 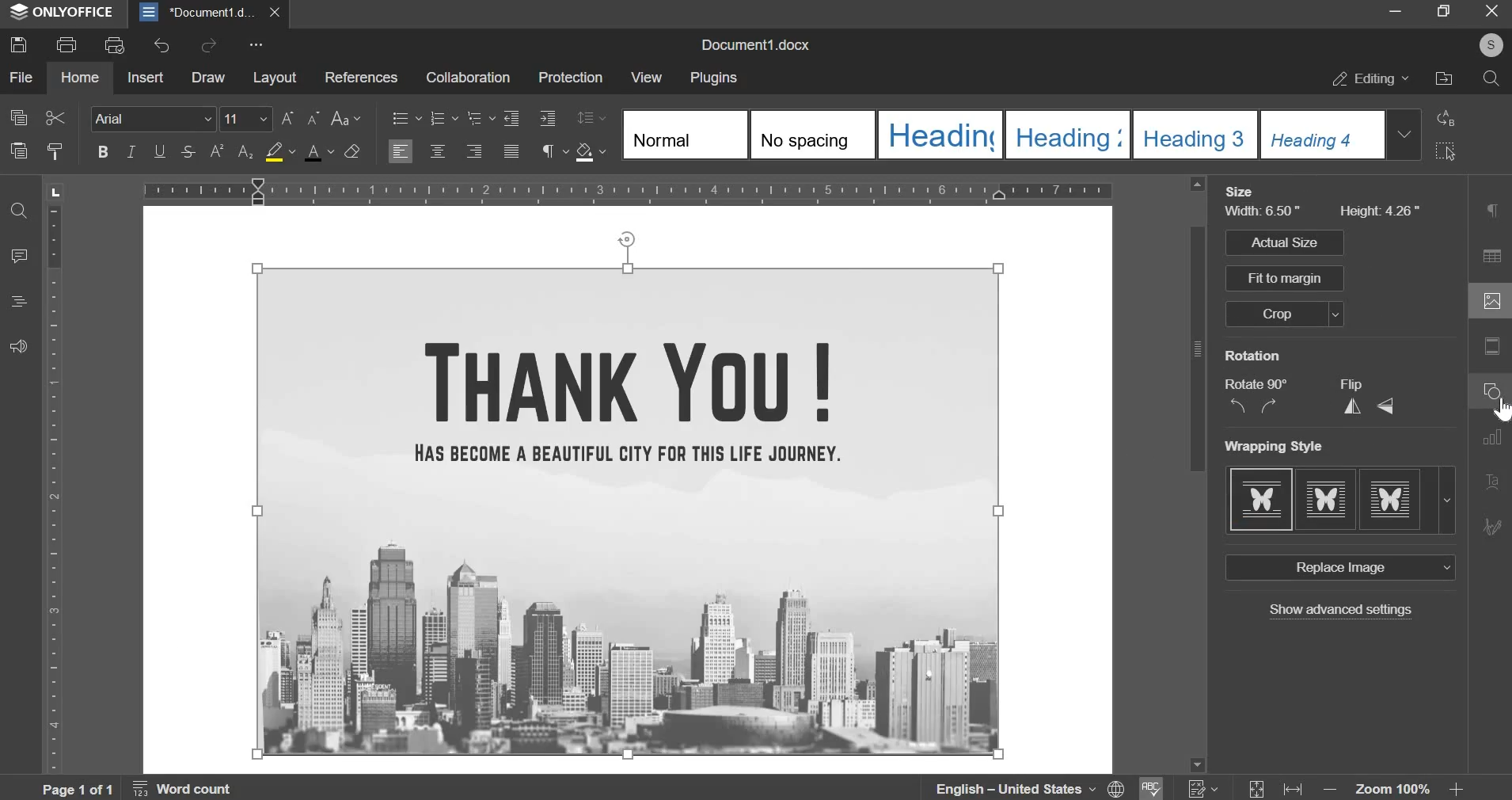 I want to click on file, so click(x=20, y=77).